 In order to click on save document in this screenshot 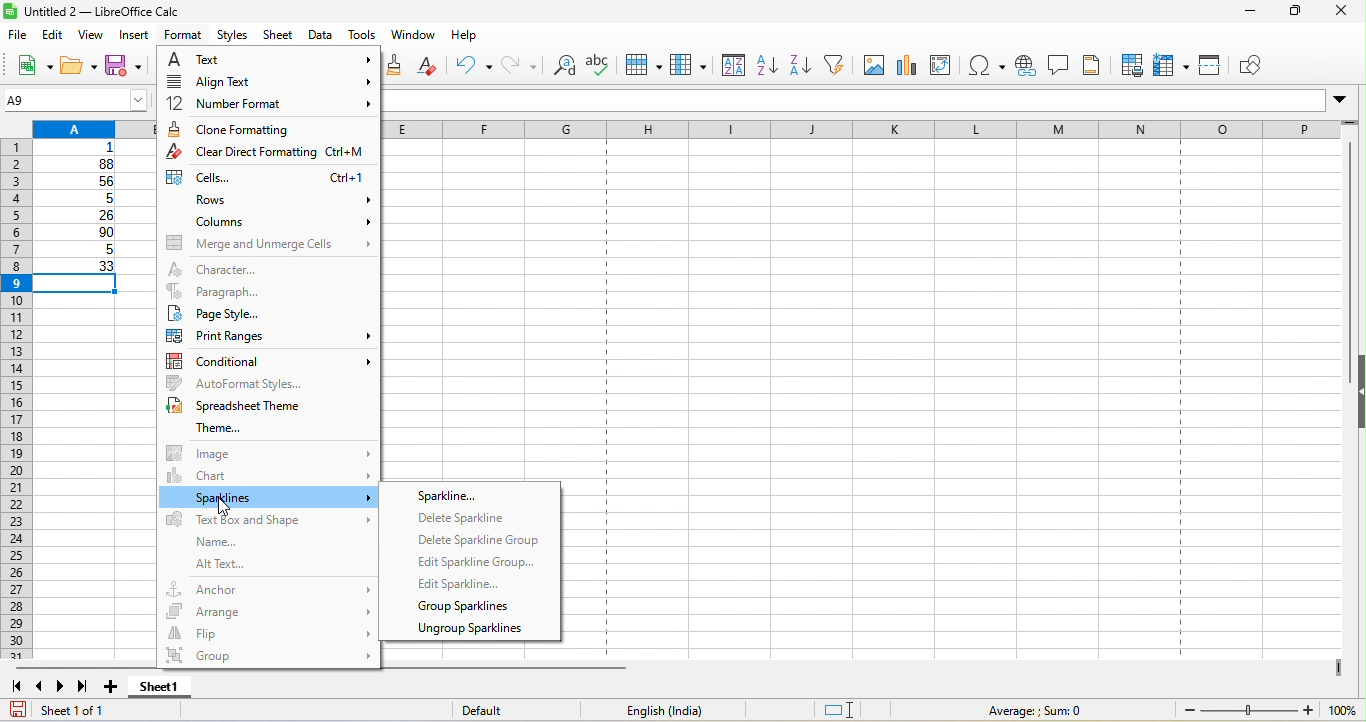, I will do `click(18, 709)`.